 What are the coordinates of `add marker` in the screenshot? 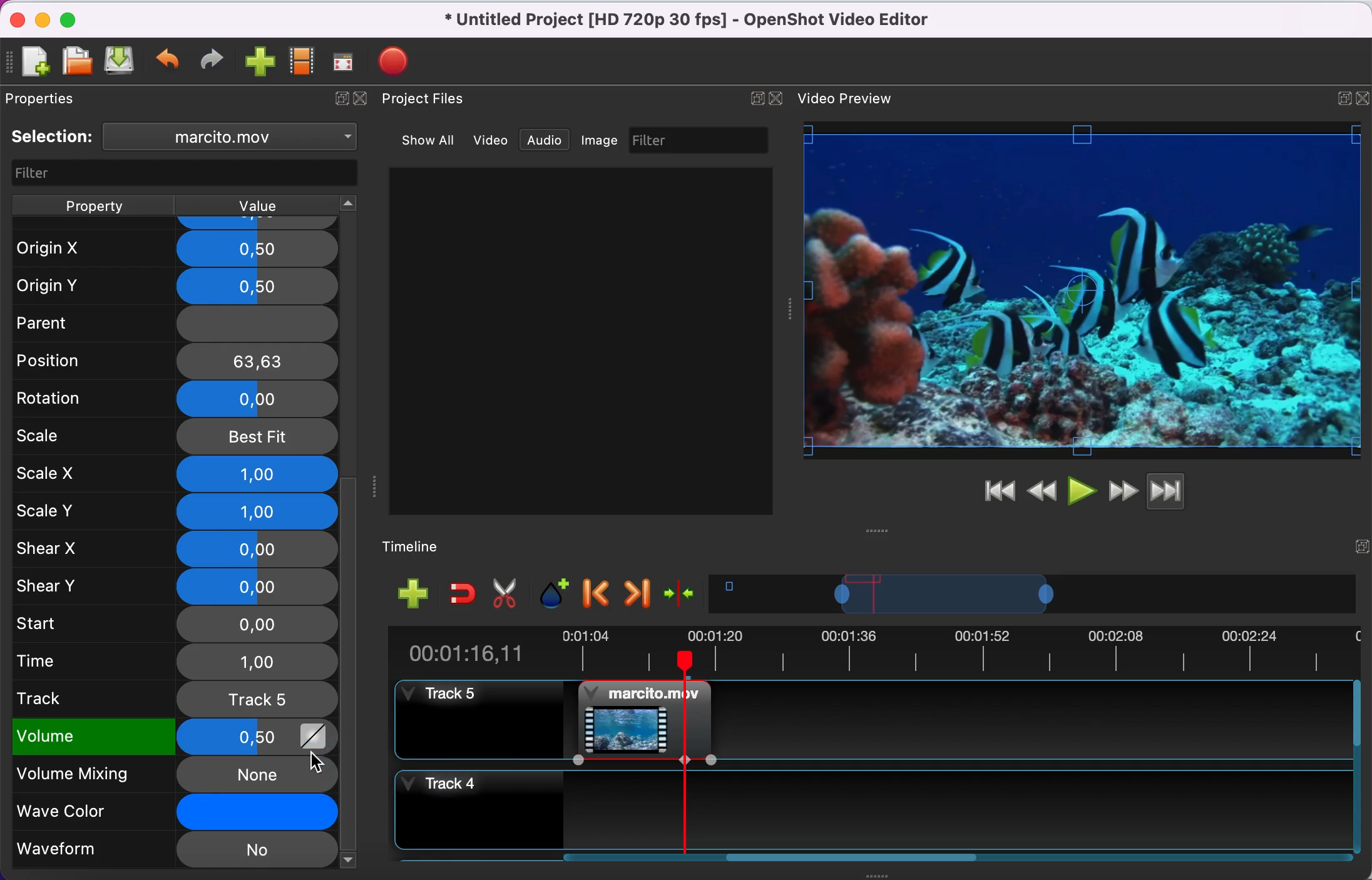 It's located at (555, 593).